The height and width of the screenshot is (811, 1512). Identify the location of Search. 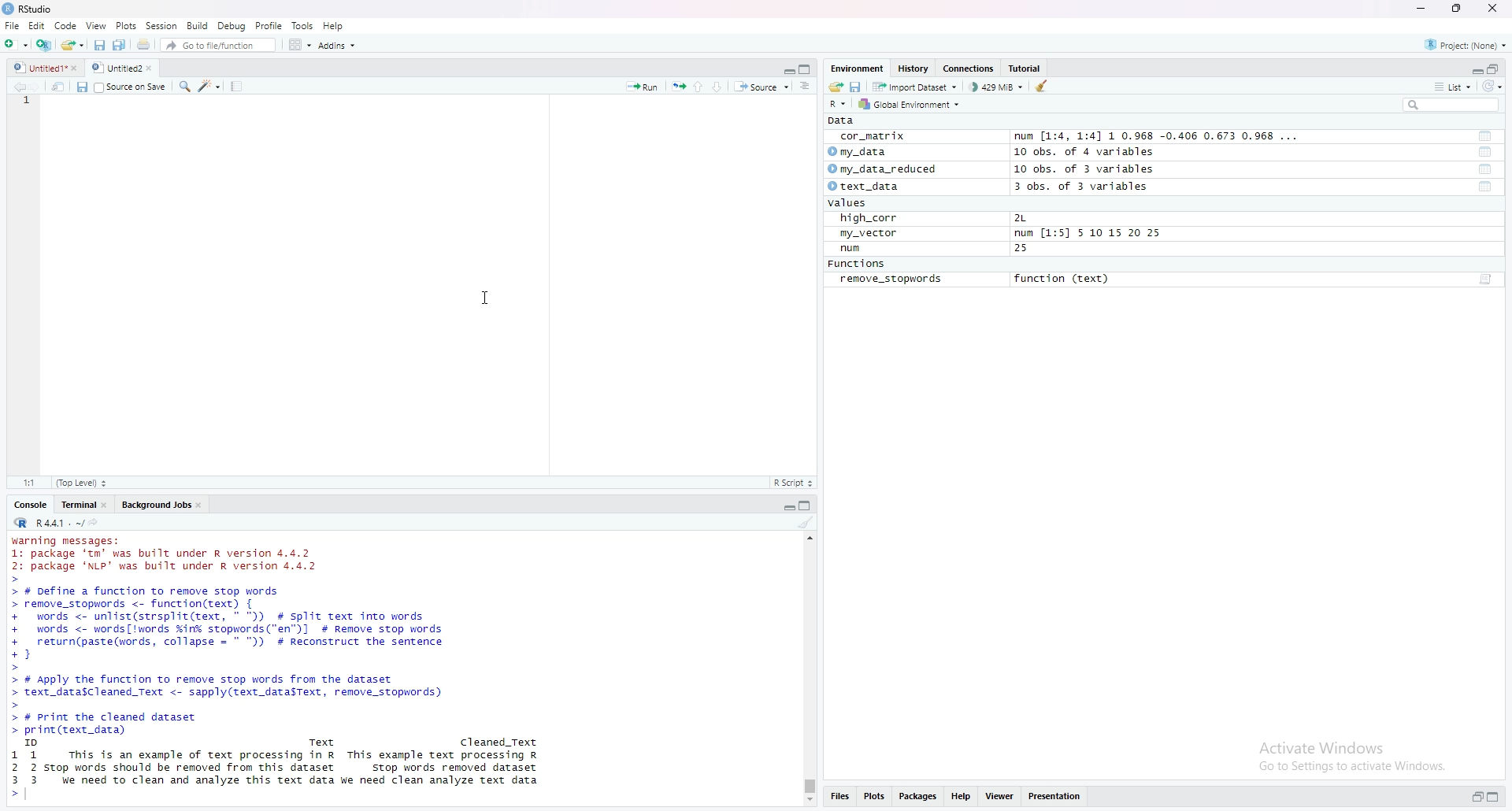
(1450, 106).